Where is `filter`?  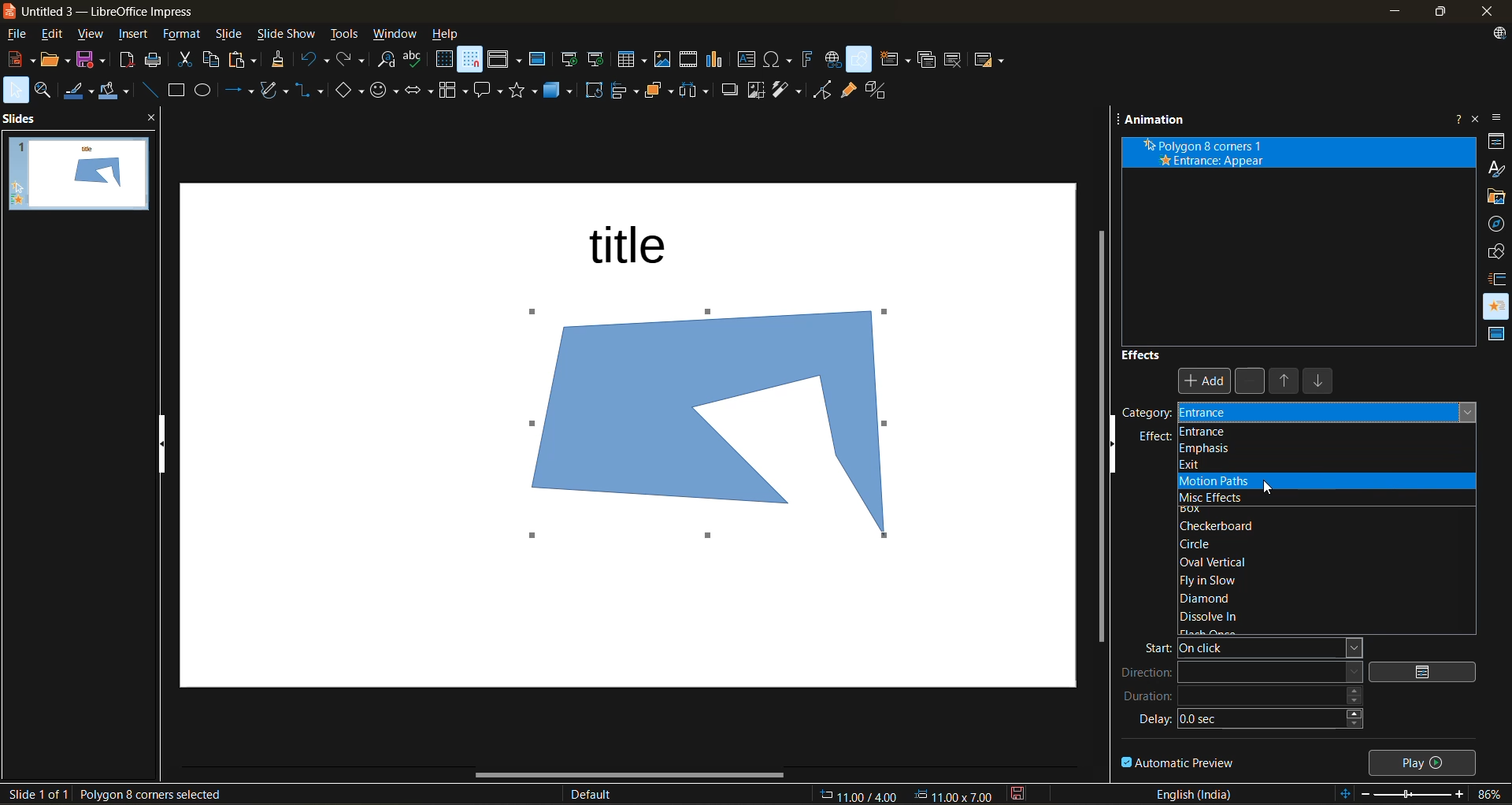
filter is located at coordinates (790, 91).